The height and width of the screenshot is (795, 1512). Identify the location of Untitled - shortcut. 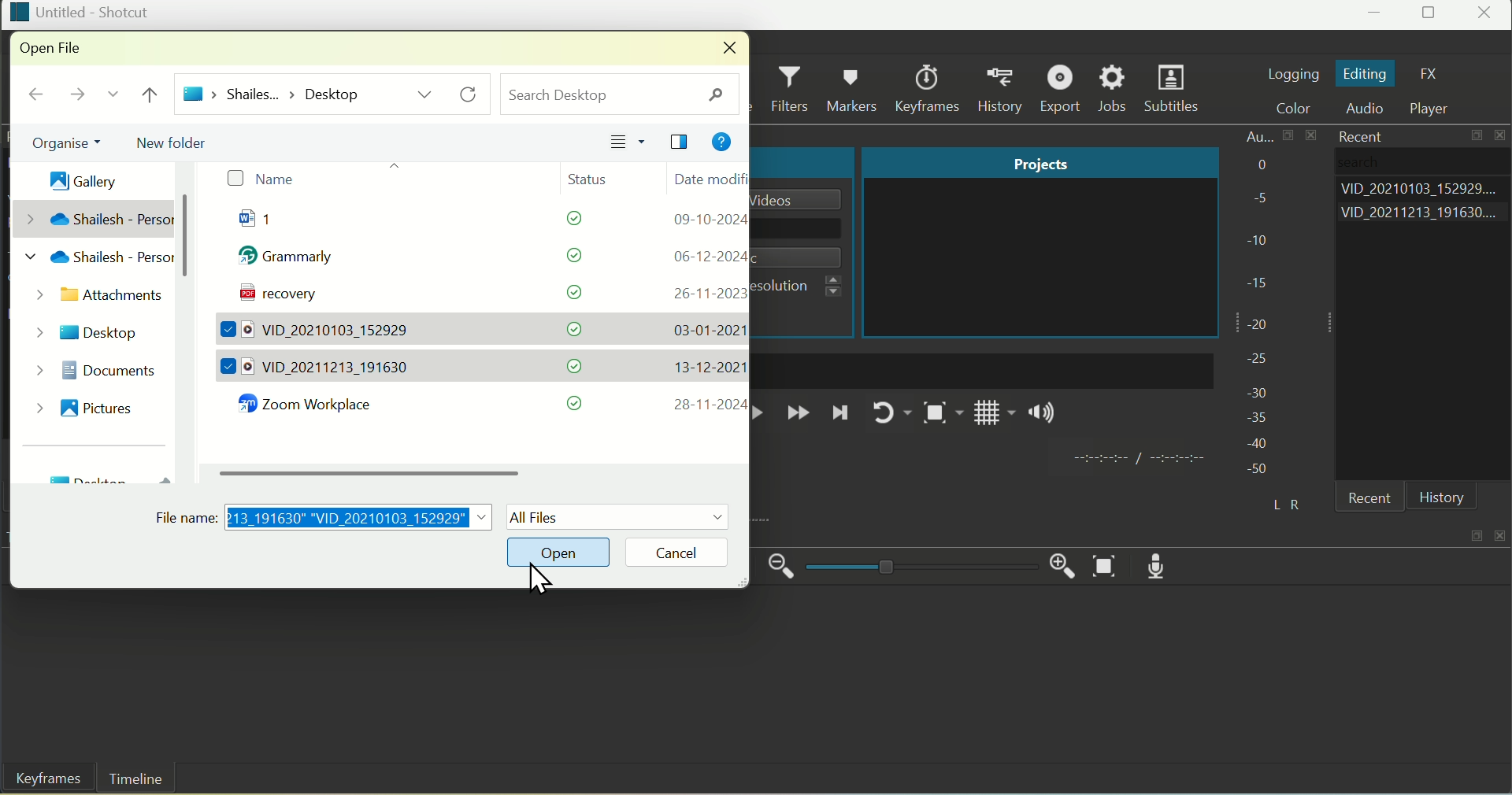
(80, 12).